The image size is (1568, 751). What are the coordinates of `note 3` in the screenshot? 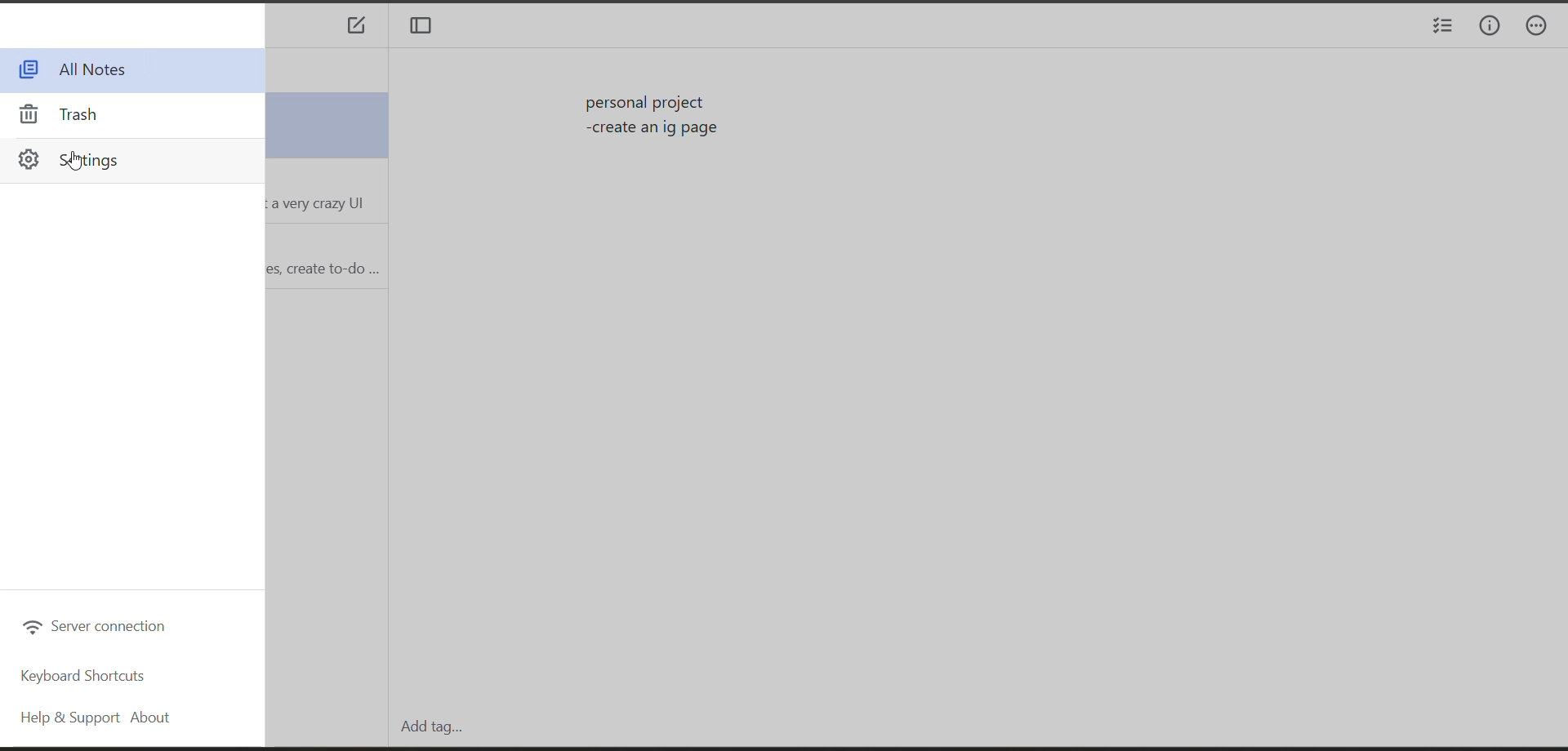 It's located at (323, 255).